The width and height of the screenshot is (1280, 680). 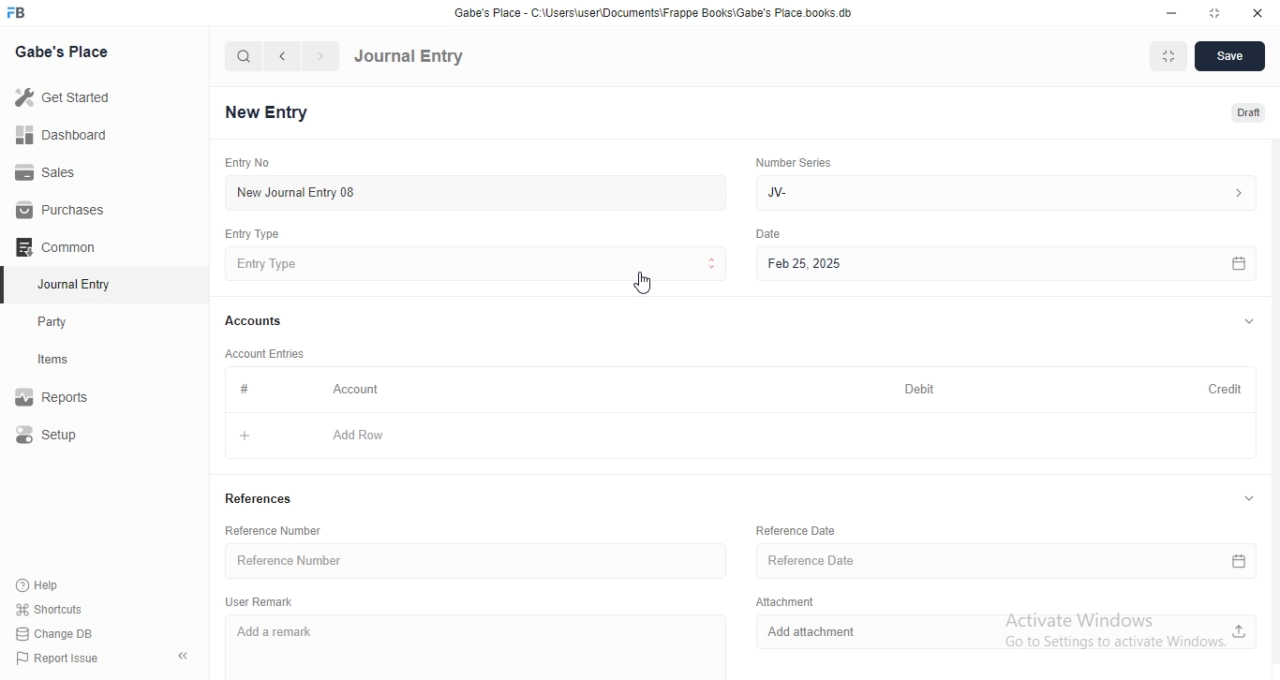 I want to click on Report Issue, so click(x=67, y=658).